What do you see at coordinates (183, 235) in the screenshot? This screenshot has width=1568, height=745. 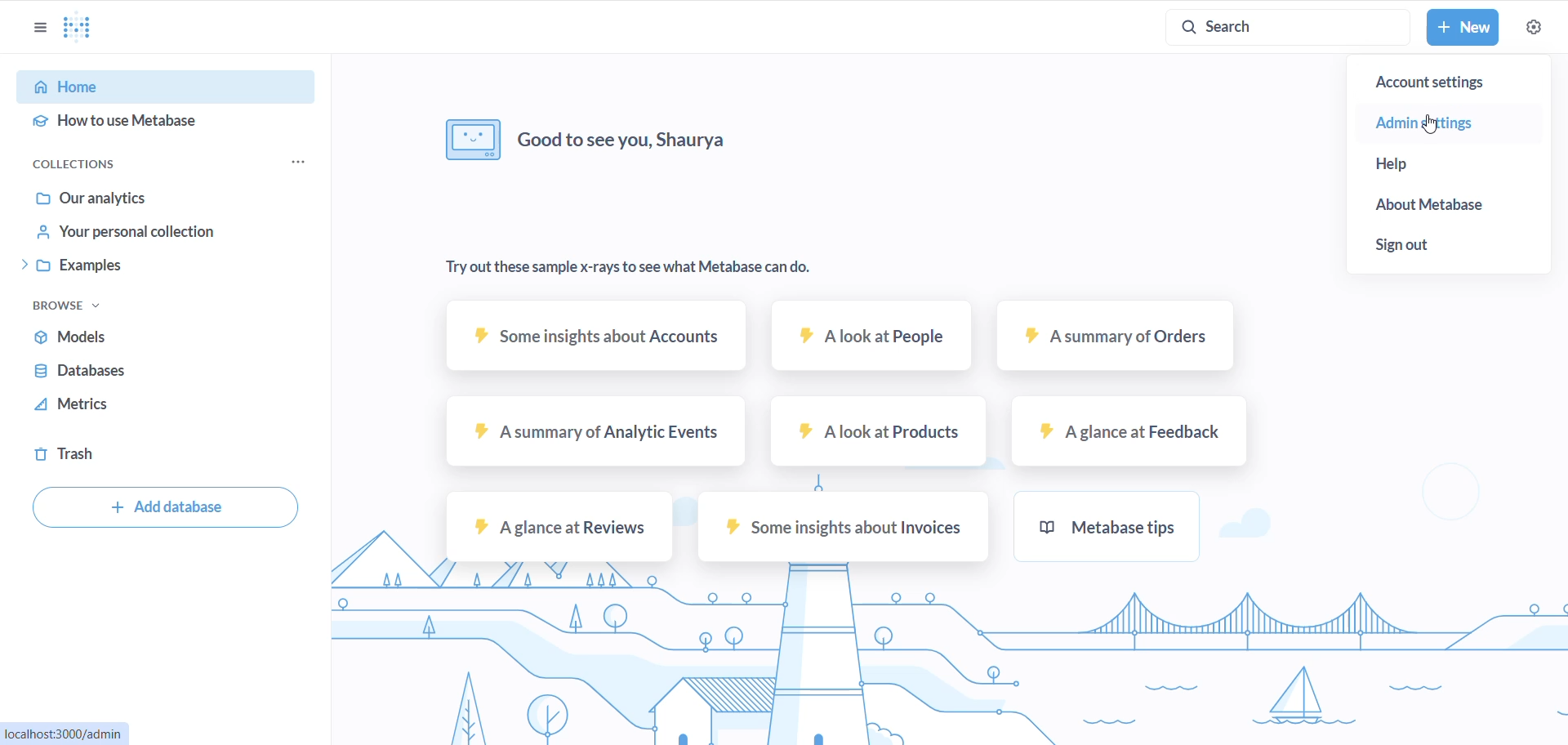 I see `YOUR PERSONAL COLLECTION` at bounding box center [183, 235].